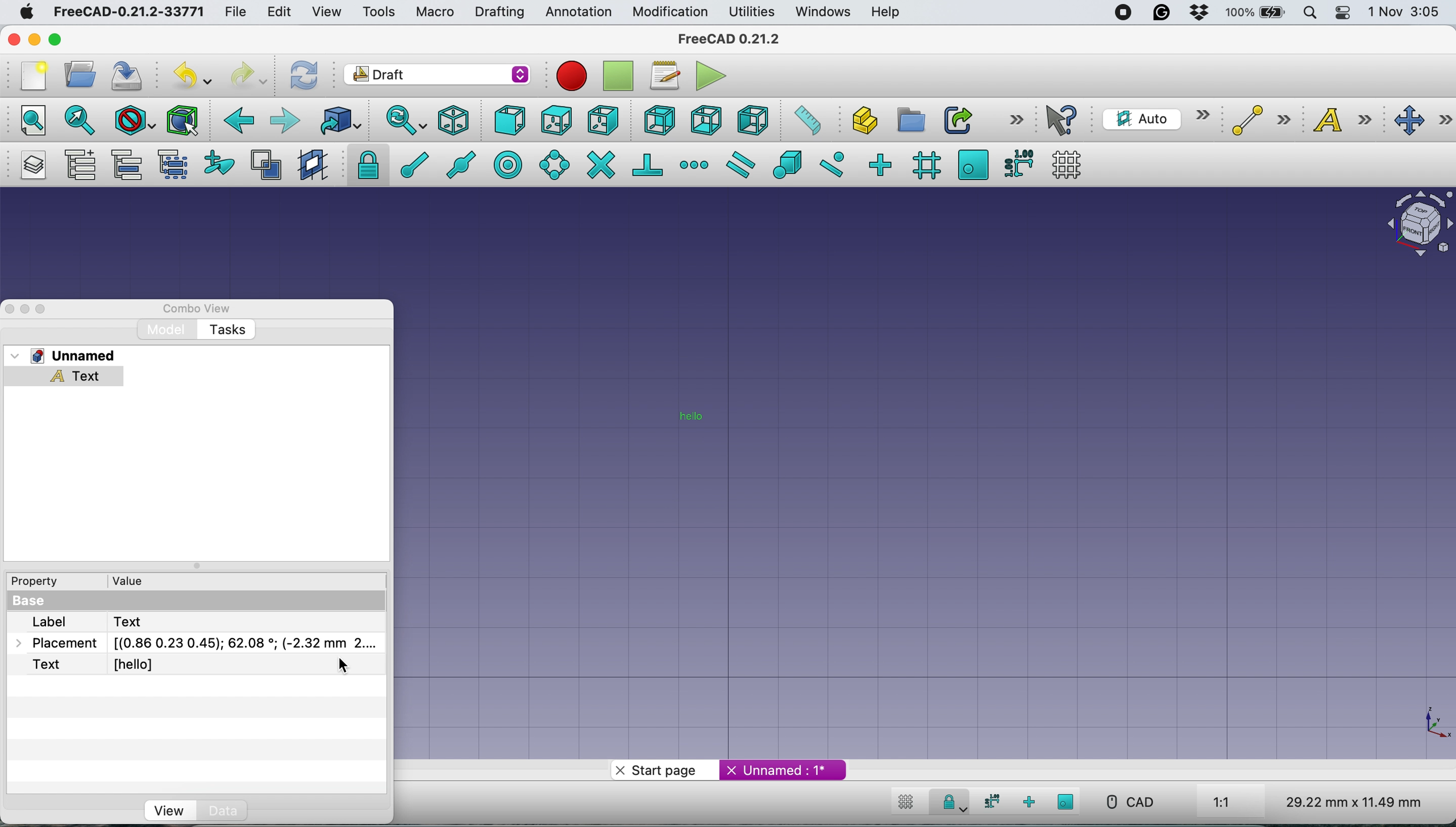 The image size is (1456, 827). What do you see at coordinates (658, 120) in the screenshot?
I see `rear` at bounding box center [658, 120].